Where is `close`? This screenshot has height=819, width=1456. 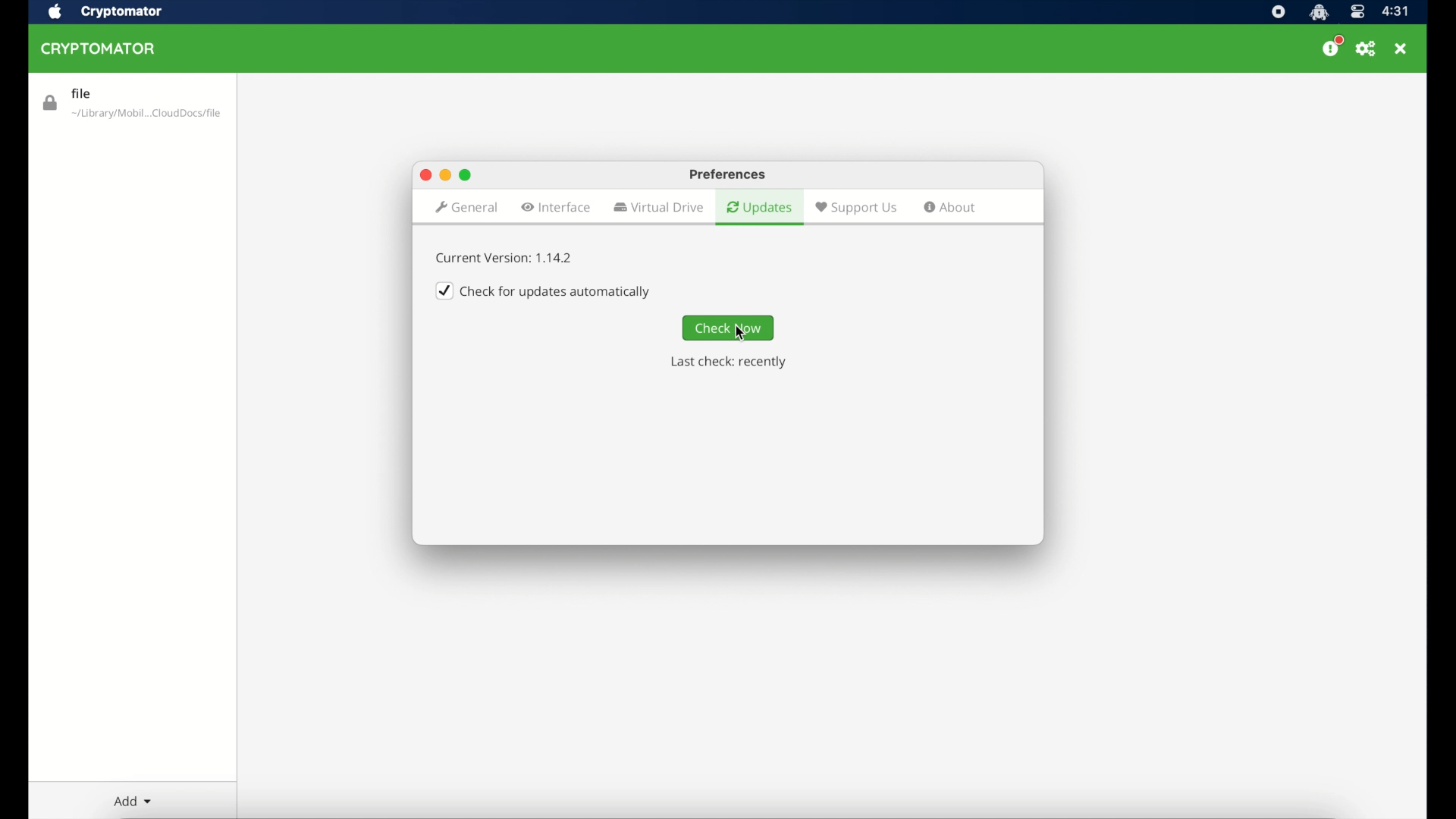
close is located at coordinates (424, 174).